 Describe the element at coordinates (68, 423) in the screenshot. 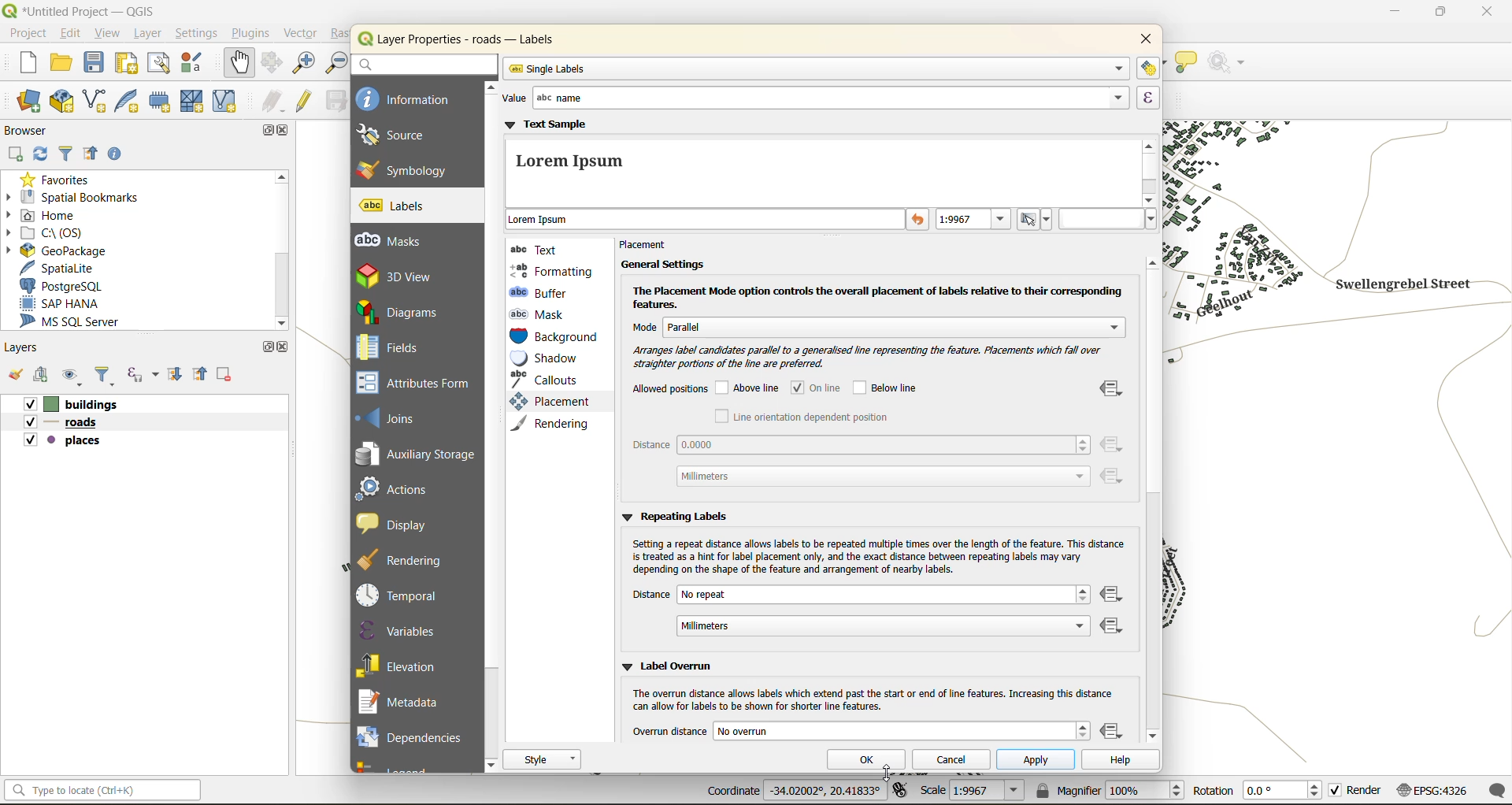

I see `roads layer` at that location.